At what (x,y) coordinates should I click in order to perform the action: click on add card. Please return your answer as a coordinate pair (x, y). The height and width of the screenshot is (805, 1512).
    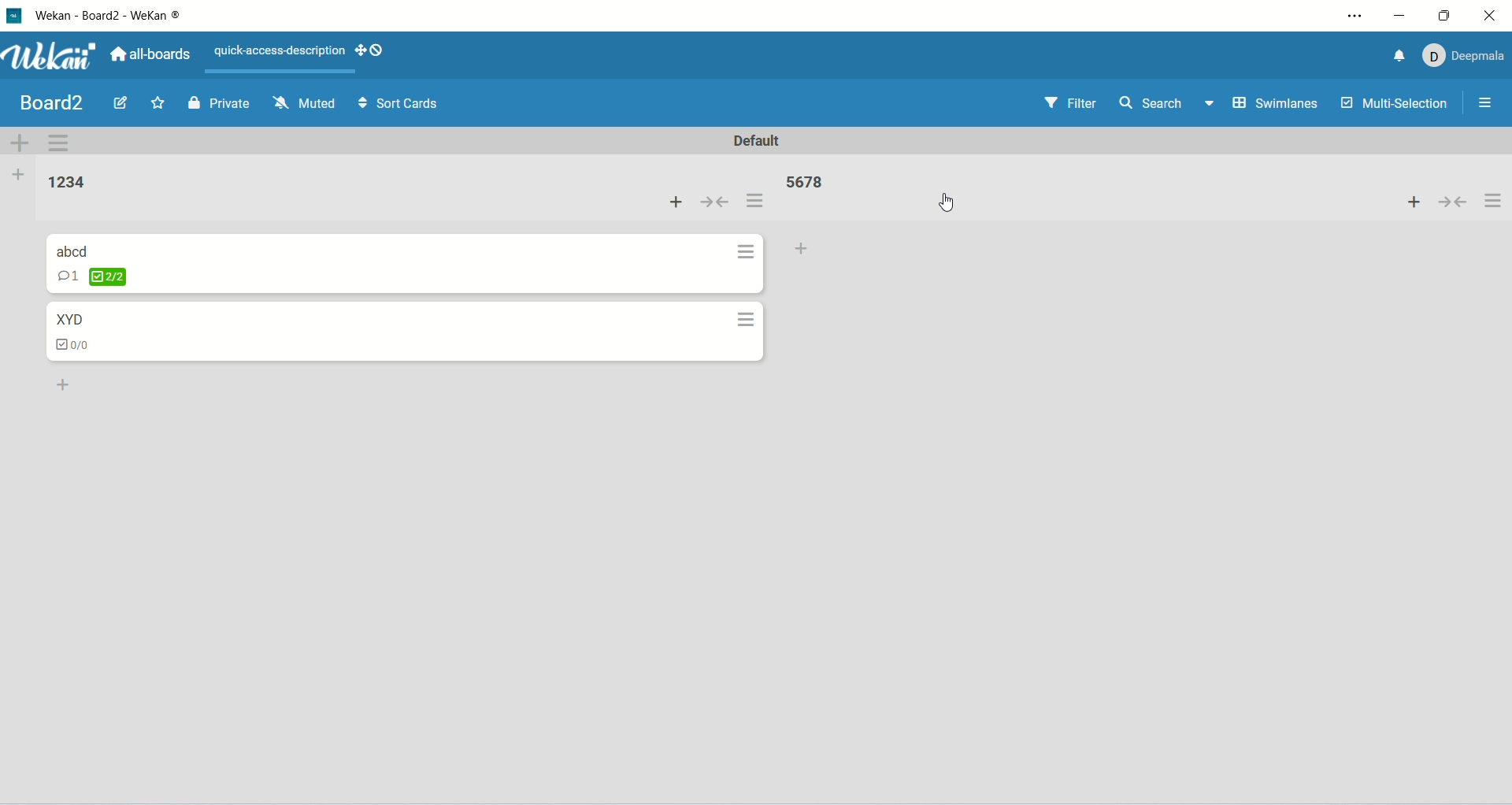
    Looking at the image, I should click on (809, 249).